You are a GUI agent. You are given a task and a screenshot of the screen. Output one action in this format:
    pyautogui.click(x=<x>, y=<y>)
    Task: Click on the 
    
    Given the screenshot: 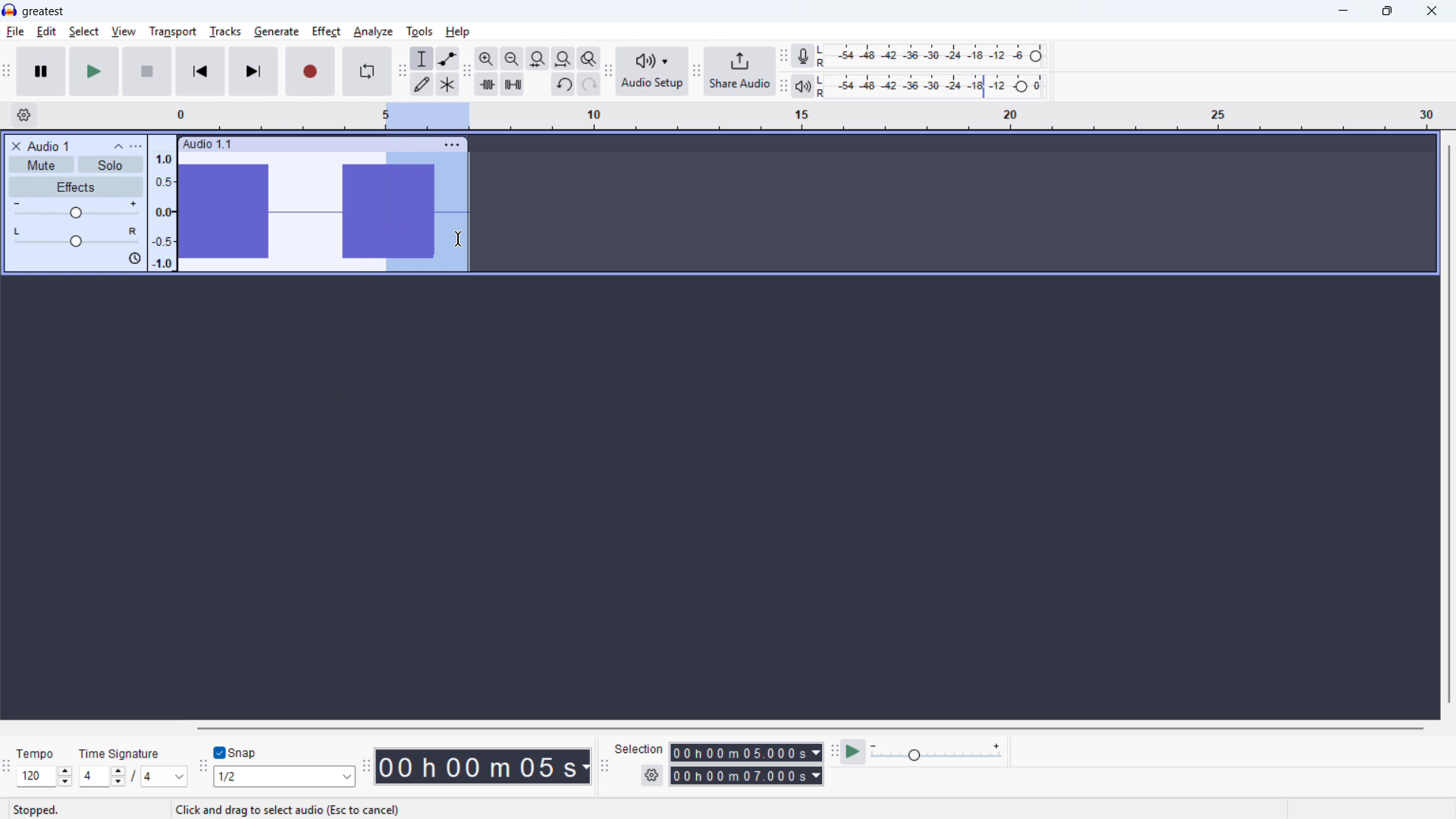 What is the action you would take?
    pyautogui.click(x=696, y=73)
    